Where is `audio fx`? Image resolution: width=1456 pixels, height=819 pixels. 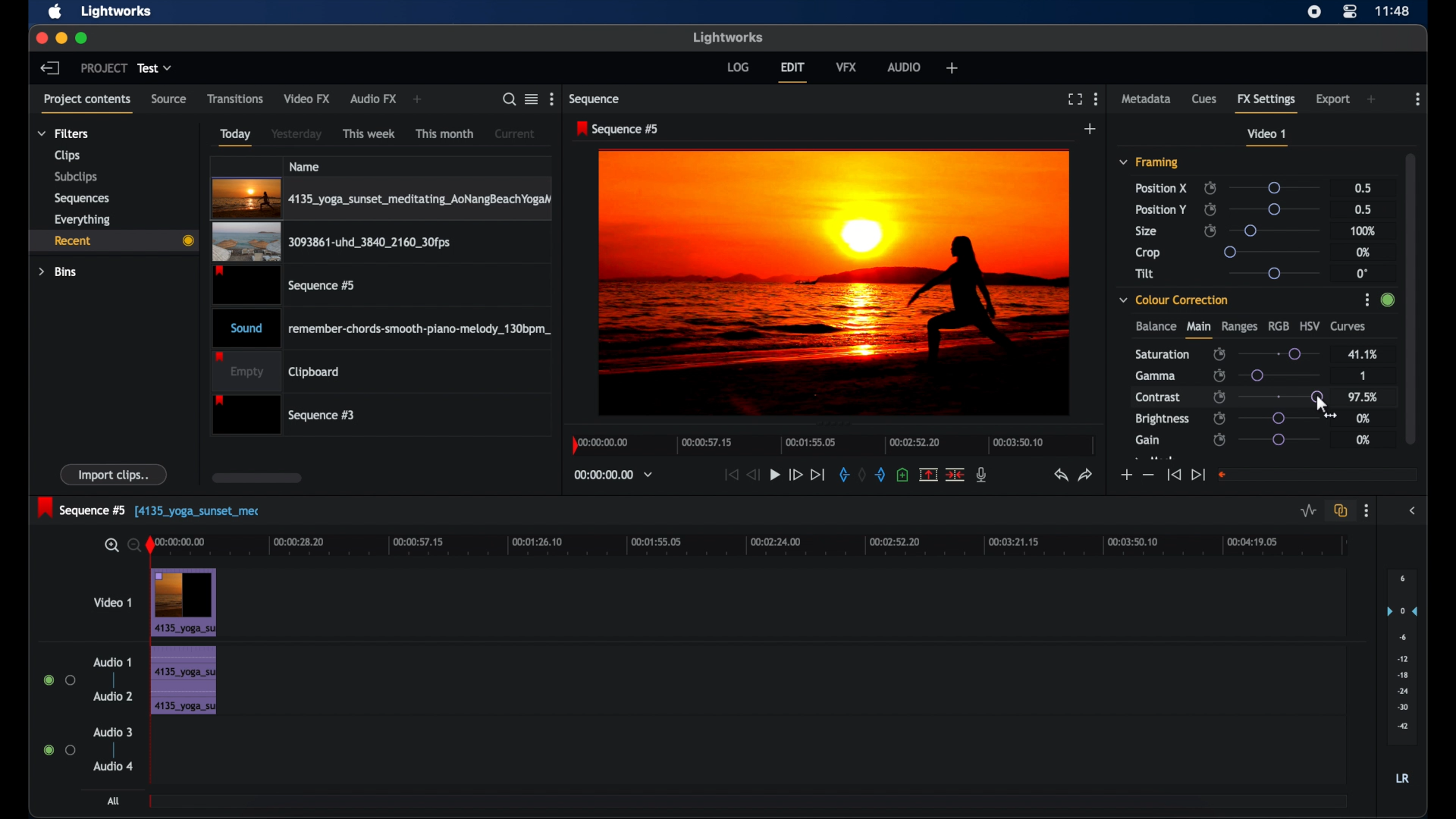
audio fx is located at coordinates (373, 99).